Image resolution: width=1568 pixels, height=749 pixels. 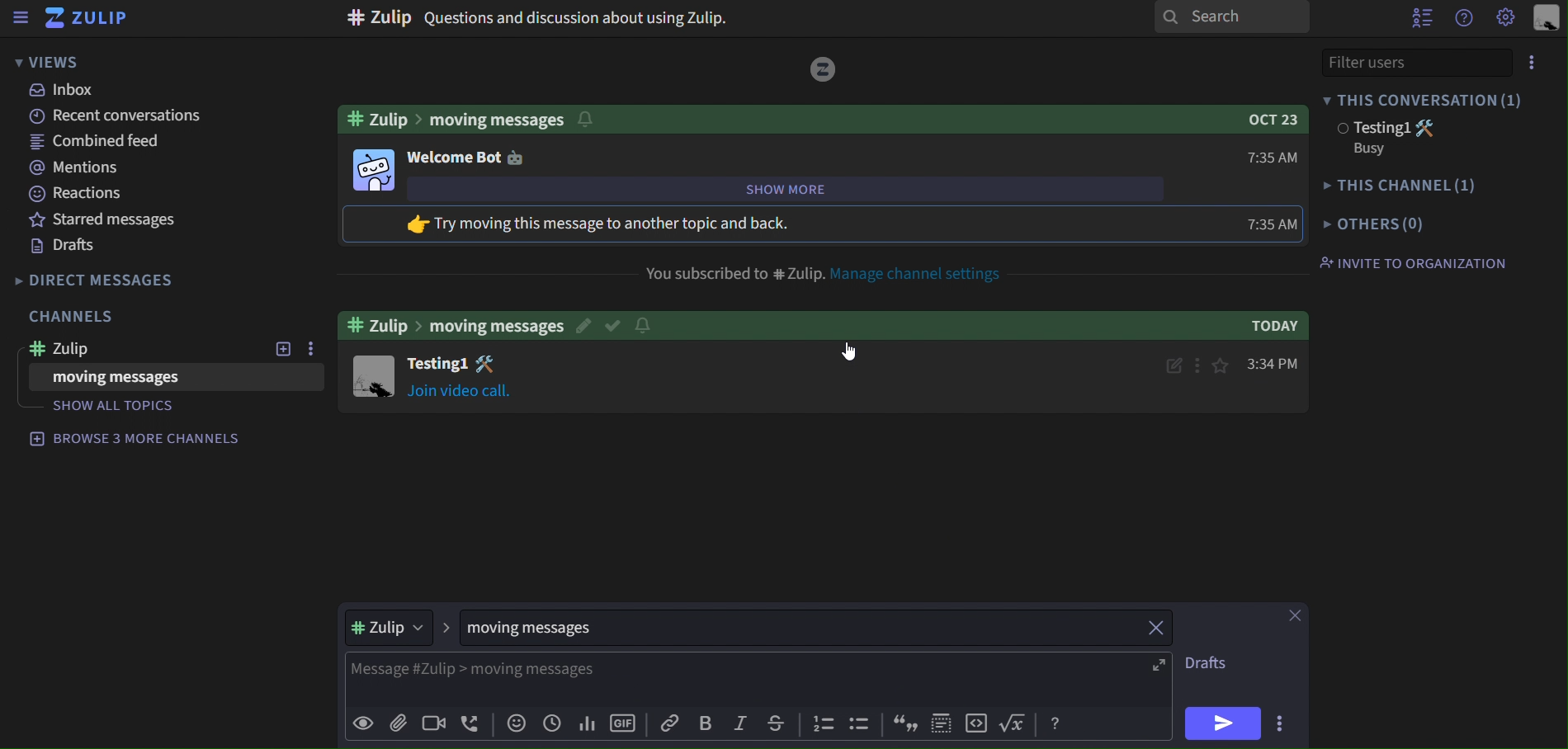 What do you see at coordinates (544, 17) in the screenshot?
I see `# Zulip Questions and discussion about using Zulip.` at bounding box center [544, 17].